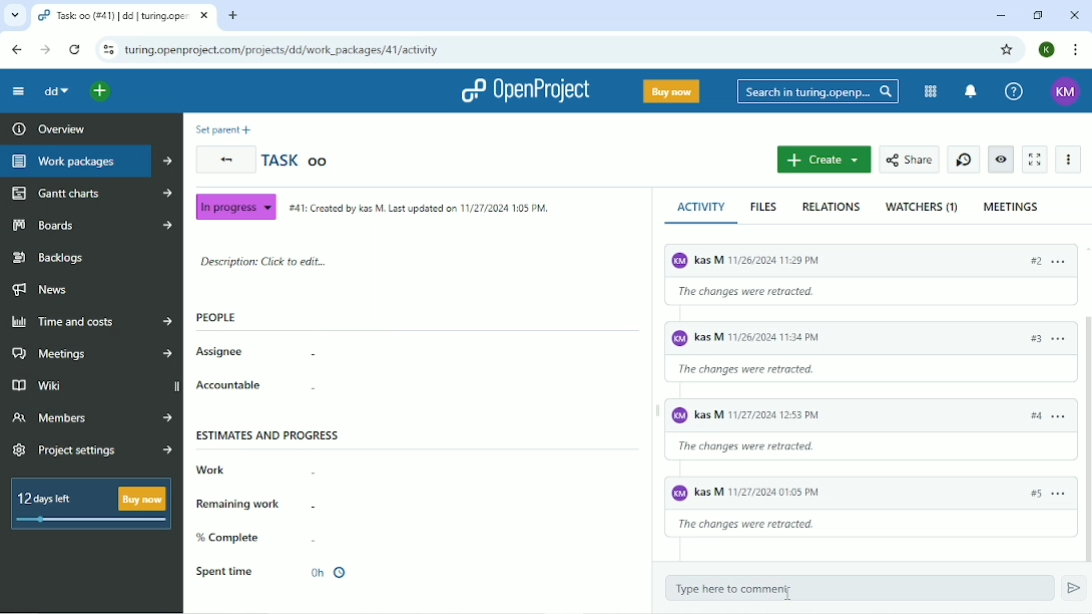 This screenshot has width=1092, height=614. What do you see at coordinates (87, 503) in the screenshot?
I see `12 days left Buy now` at bounding box center [87, 503].